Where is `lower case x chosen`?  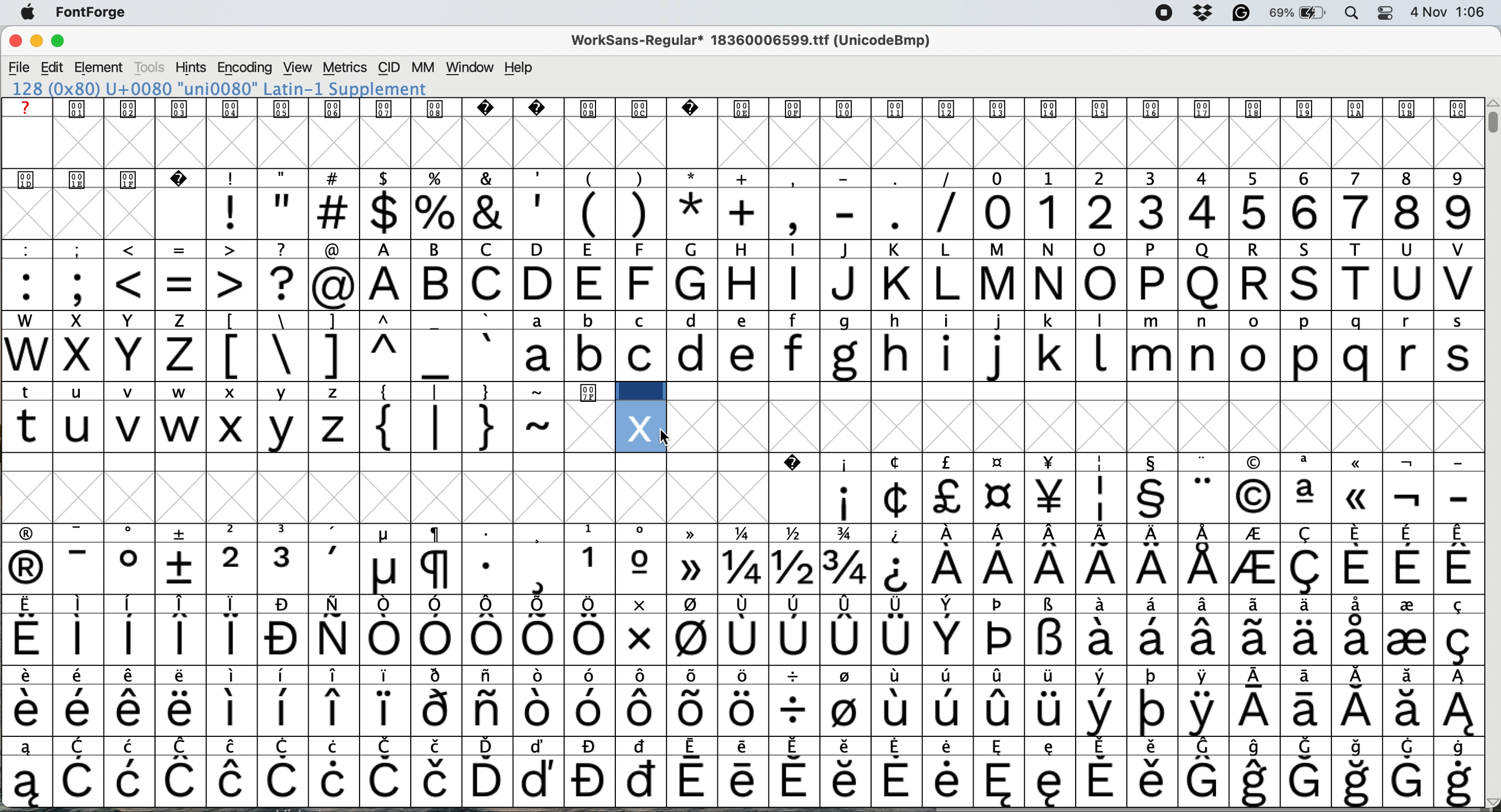
lower case x chosen is located at coordinates (231, 426).